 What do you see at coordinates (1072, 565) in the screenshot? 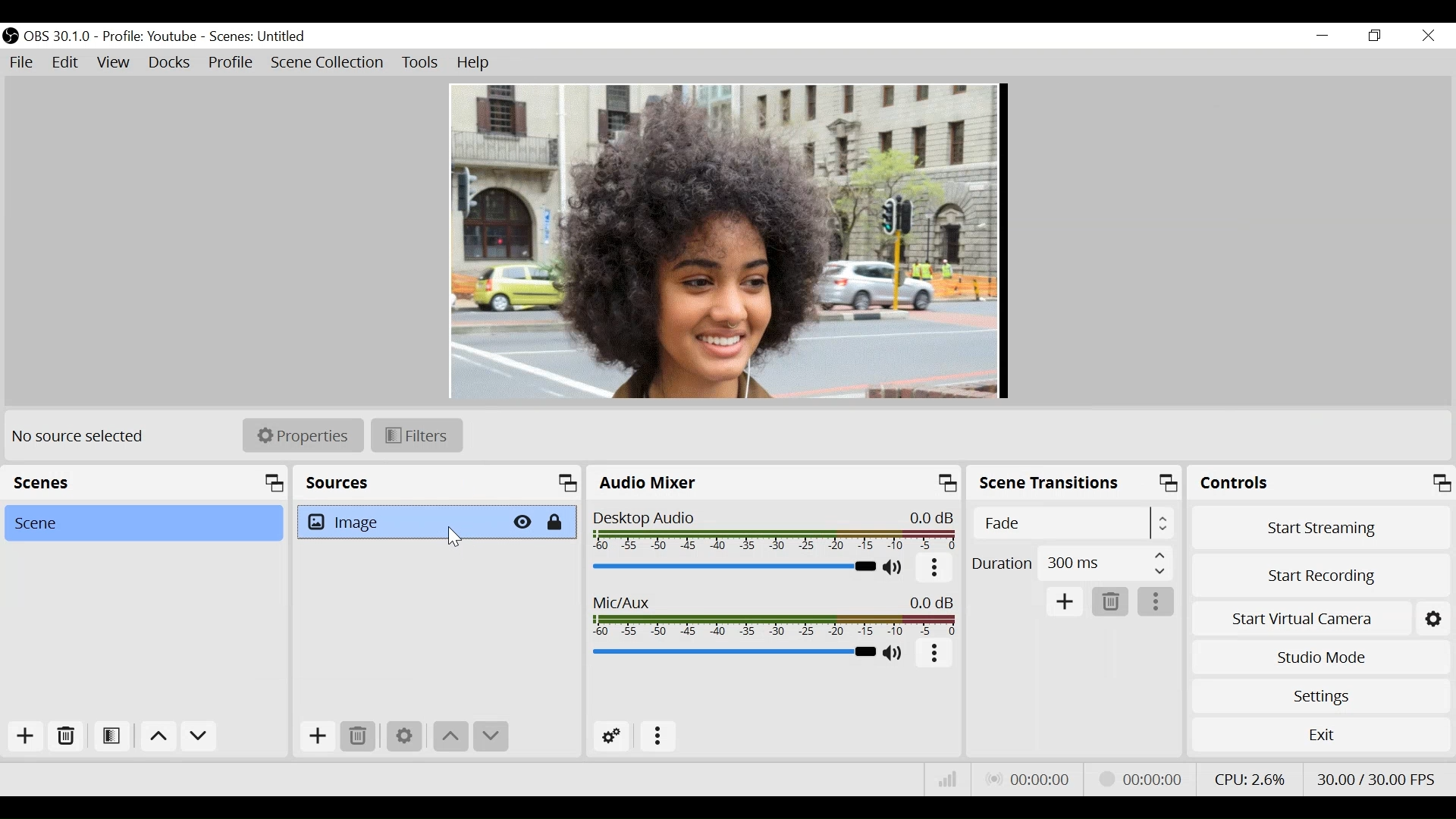
I see `Duration` at bounding box center [1072, 565].